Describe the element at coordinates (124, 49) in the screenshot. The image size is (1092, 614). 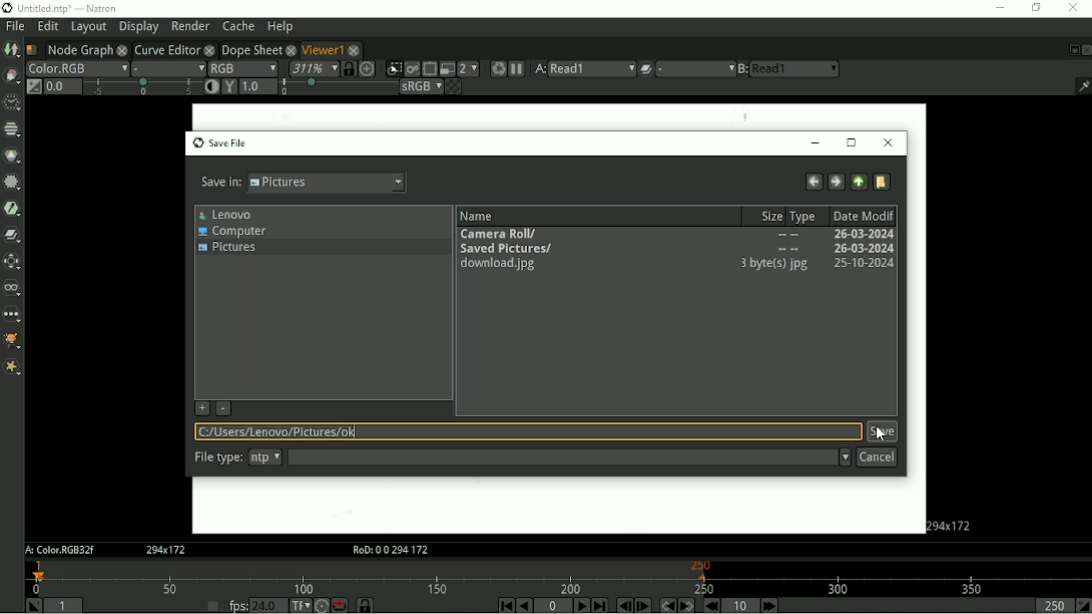
I see `close` at that location.